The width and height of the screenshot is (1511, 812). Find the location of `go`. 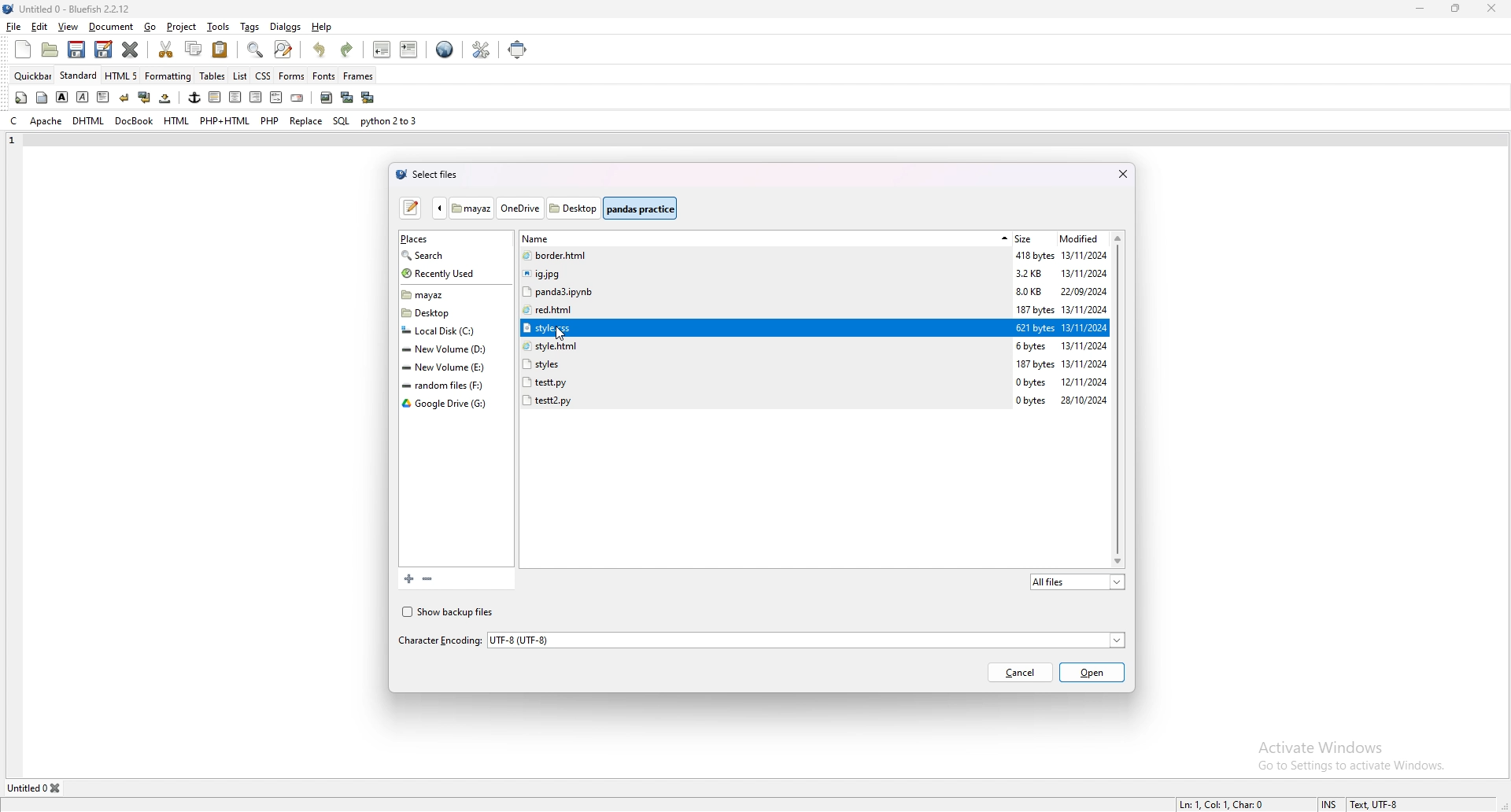

go is located at coordinates (152, 27).